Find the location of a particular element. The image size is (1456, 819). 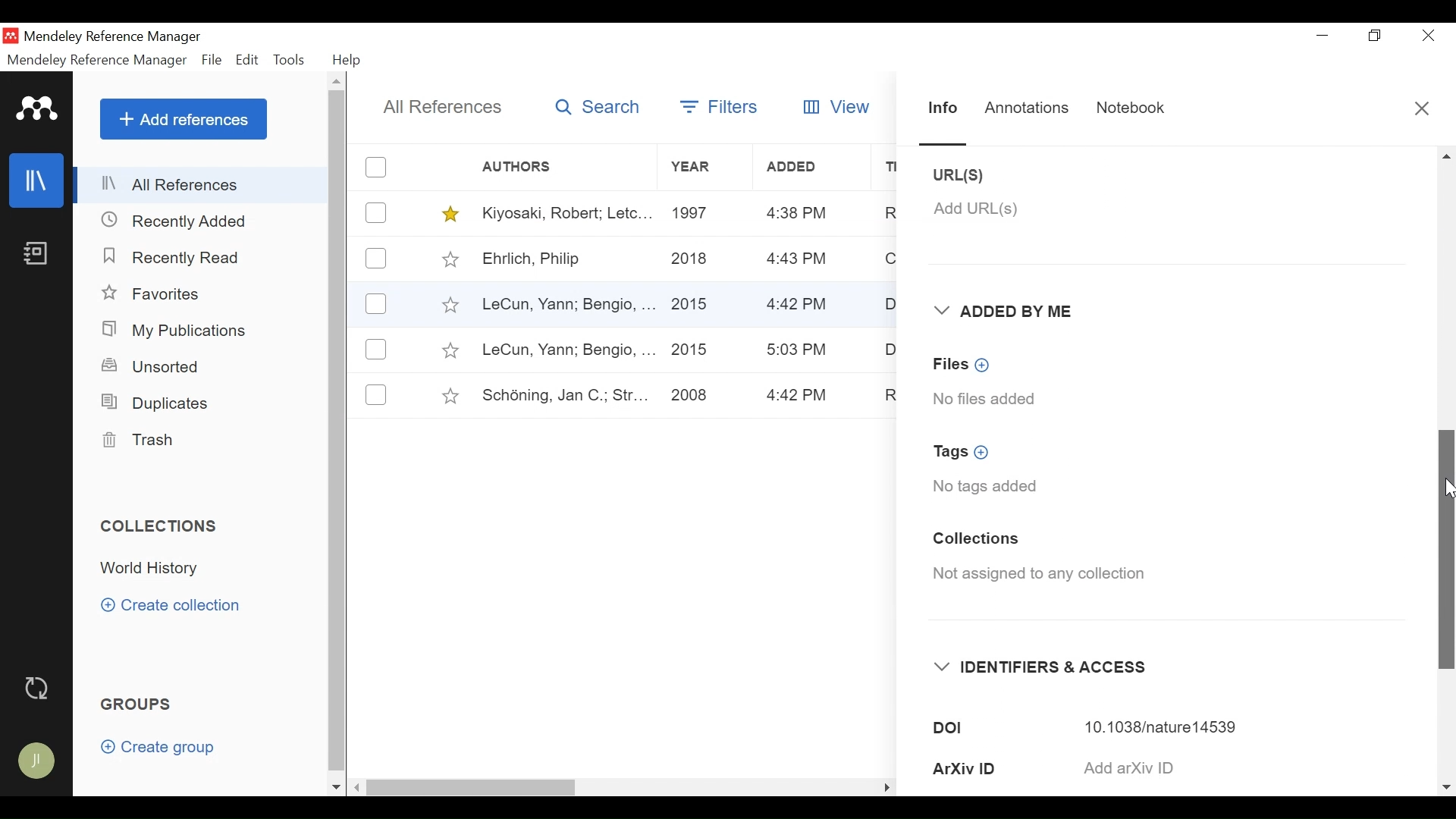

Added by Me is located at coordinates (1009, 312).